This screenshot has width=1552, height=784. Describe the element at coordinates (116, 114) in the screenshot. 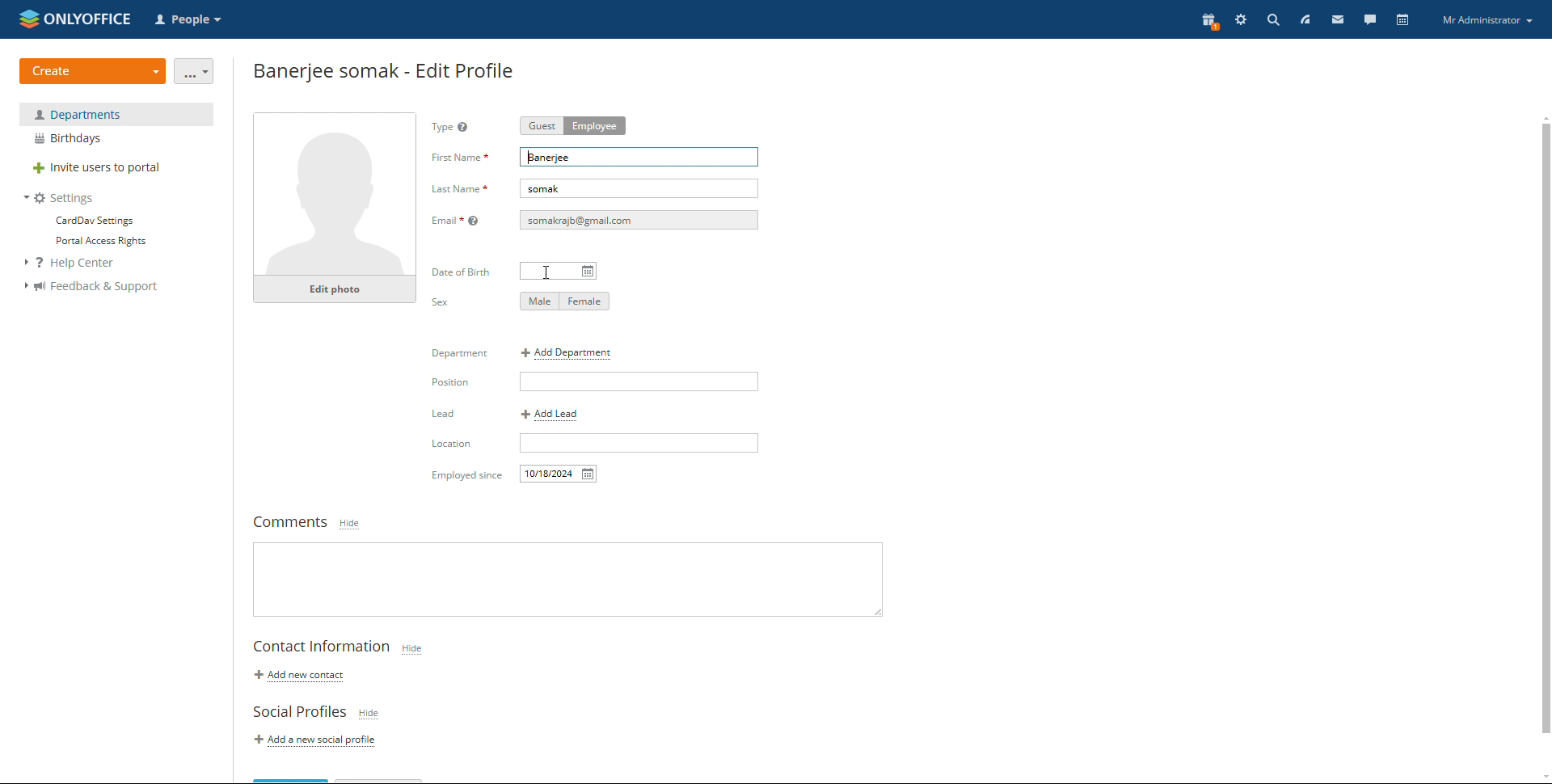

I see `department` at that location.